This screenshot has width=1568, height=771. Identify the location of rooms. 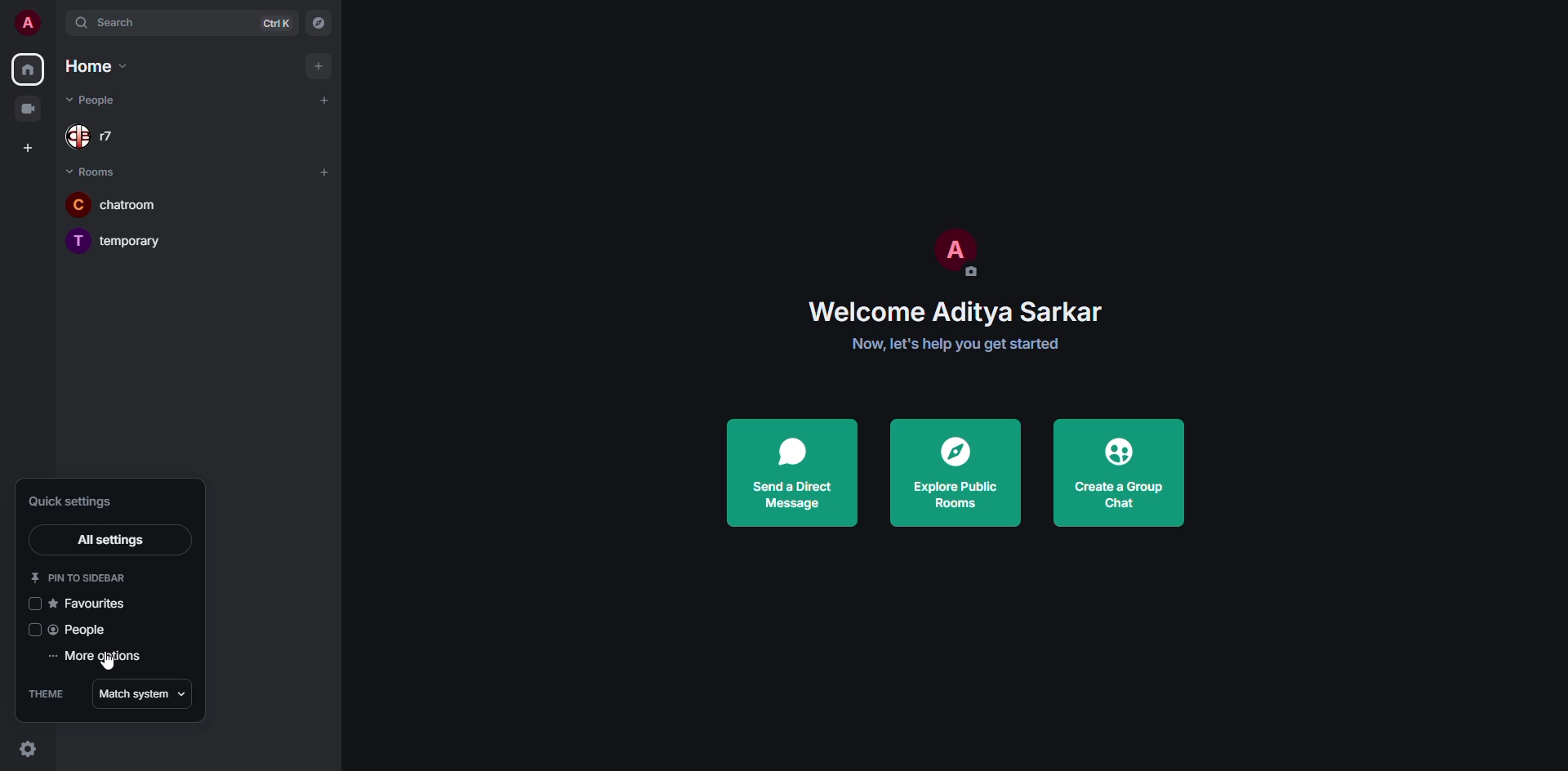
(93, 169).